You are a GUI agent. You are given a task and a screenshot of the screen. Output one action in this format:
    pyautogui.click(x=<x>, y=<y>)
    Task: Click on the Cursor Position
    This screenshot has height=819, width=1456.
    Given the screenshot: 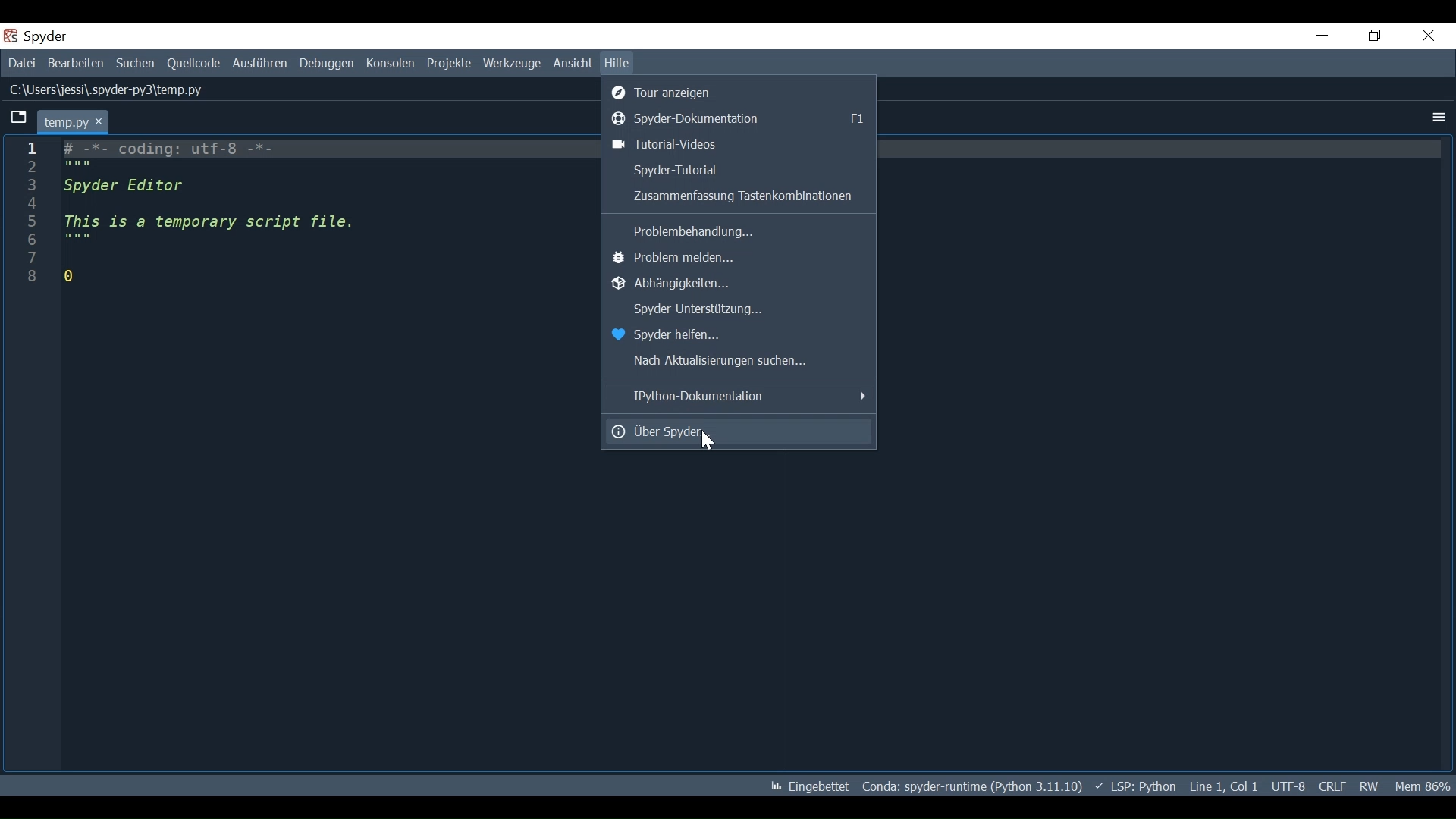 What is the action you would take?
    pyautogui.click(x=1222, y=787)
    